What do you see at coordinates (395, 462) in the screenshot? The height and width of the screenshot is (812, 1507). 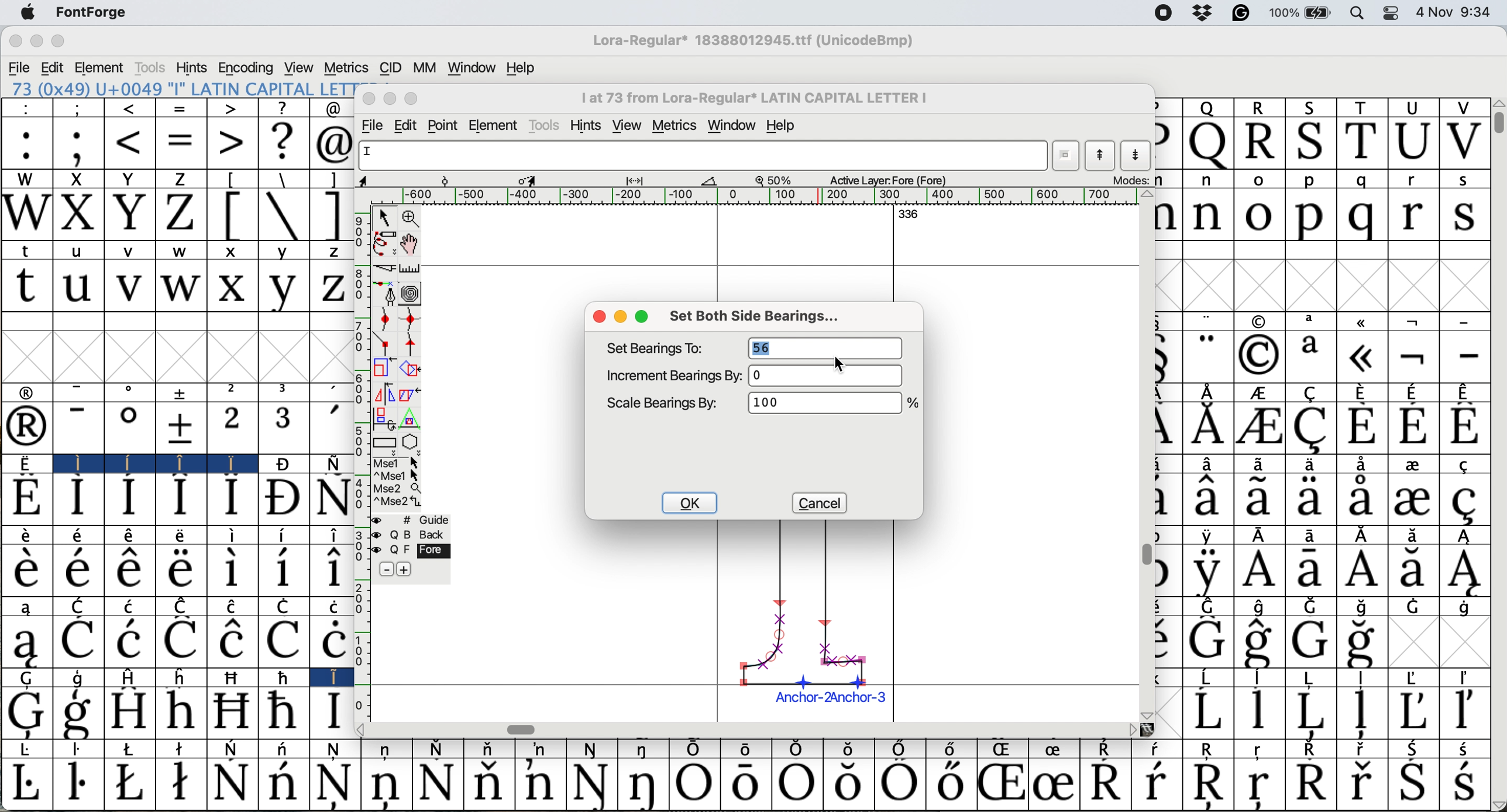 I see `Mse 1` at bounding box center [395, 462].